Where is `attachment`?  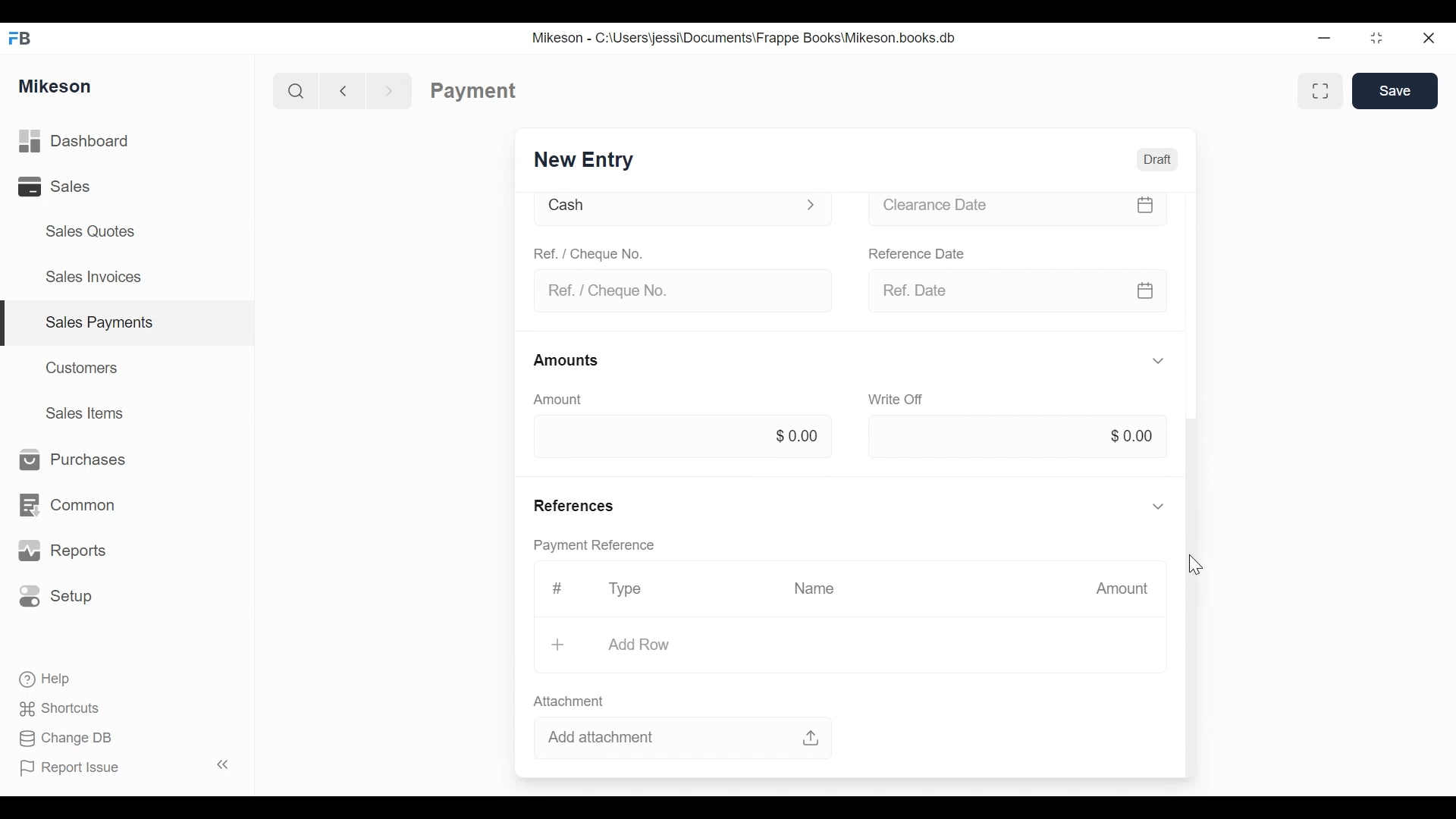
attachment is located at coordinates (571, 701).